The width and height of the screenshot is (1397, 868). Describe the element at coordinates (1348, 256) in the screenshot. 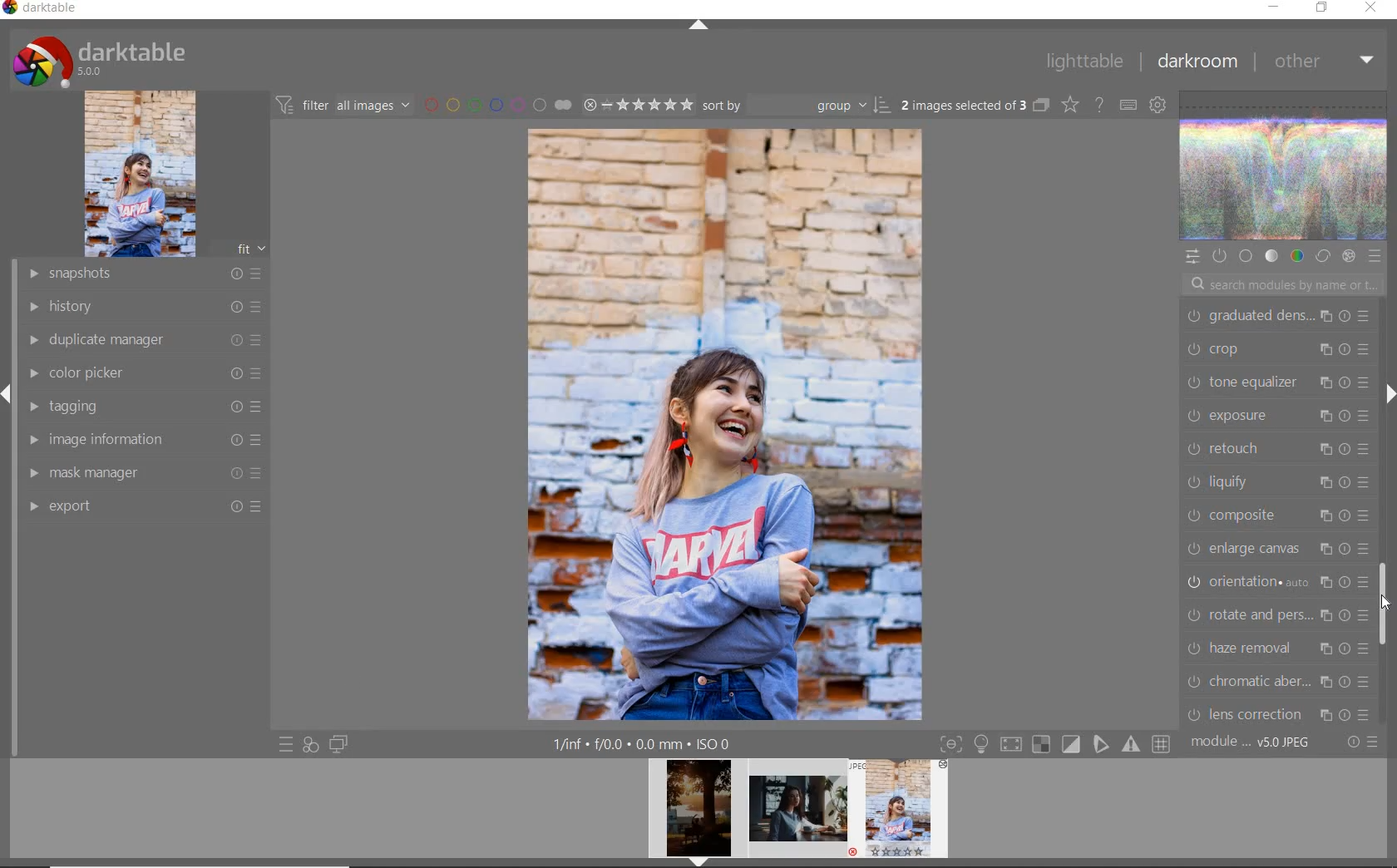

I see `effect` at that location.